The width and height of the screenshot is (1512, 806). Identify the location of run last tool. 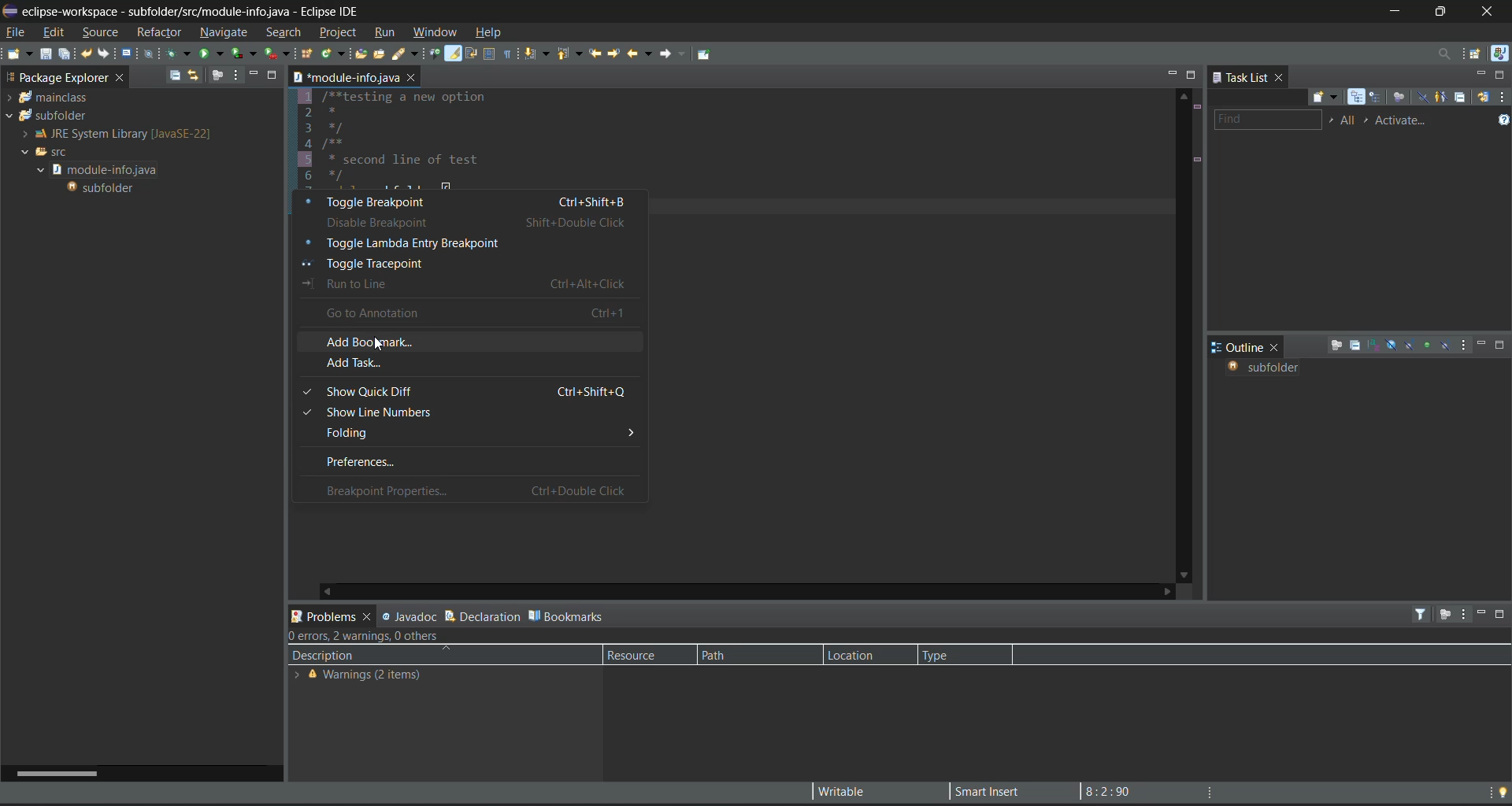
(277, 55).